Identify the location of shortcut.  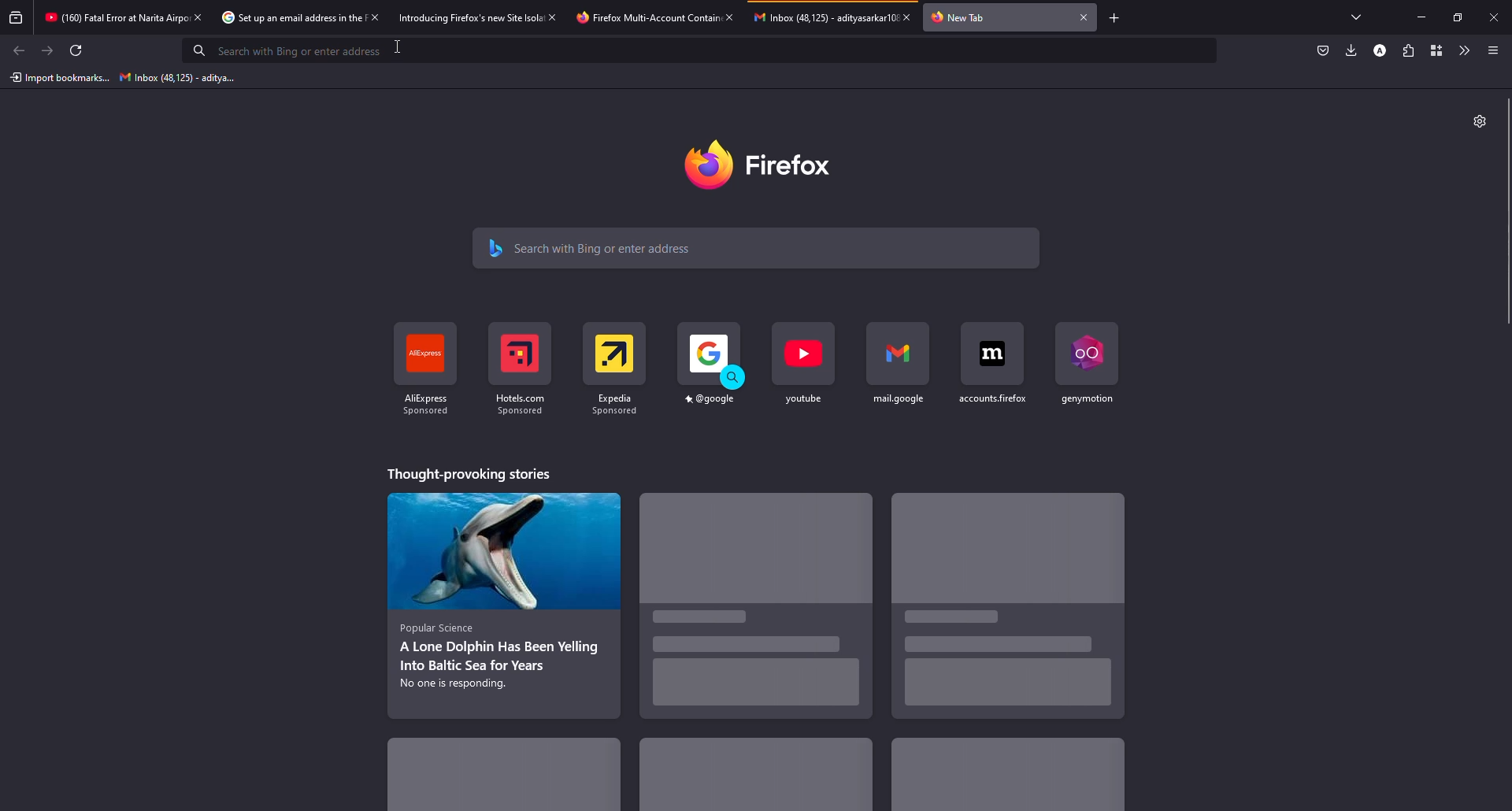
(989, 378).